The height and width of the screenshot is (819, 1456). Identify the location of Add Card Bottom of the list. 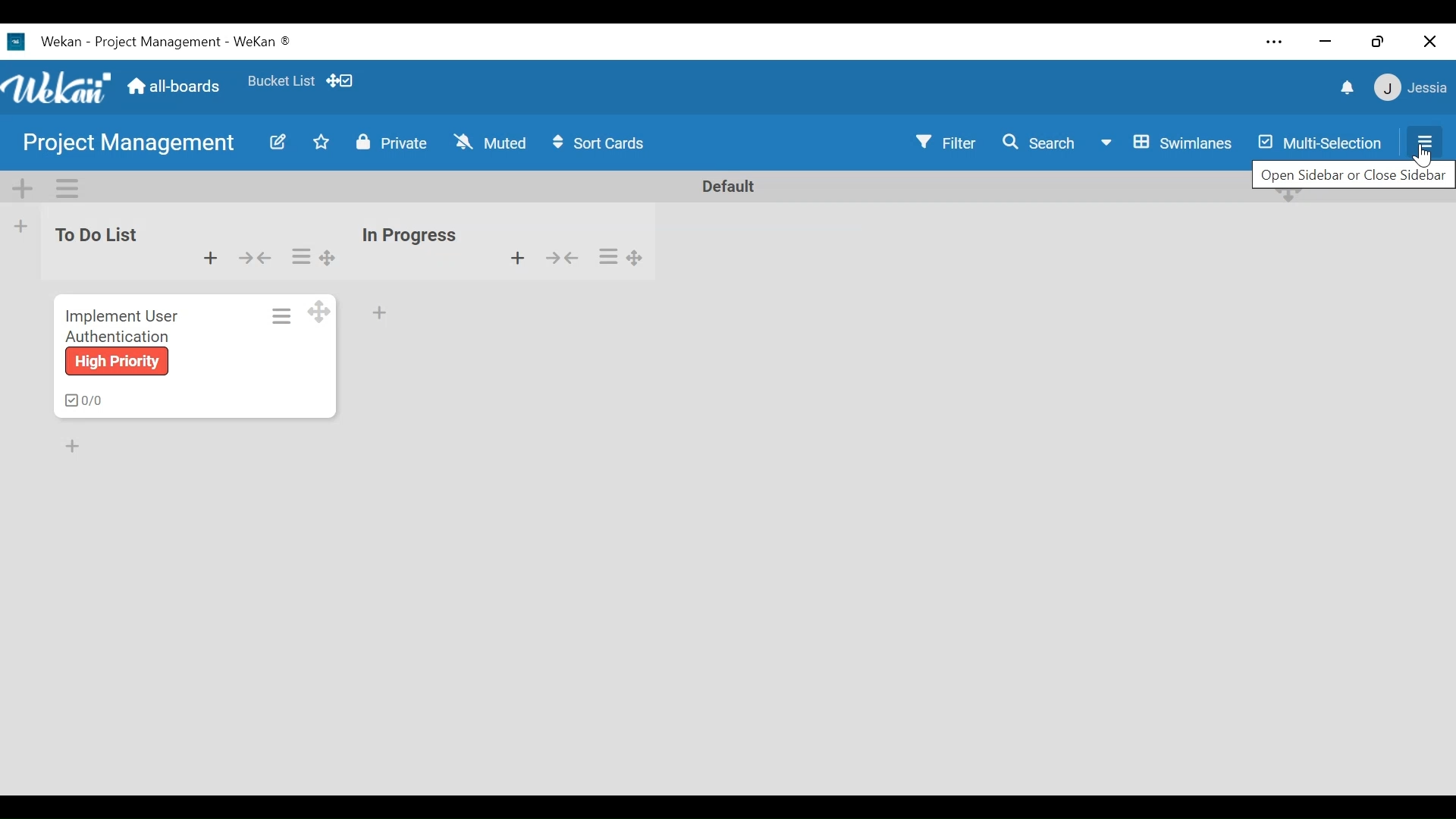
(80, 449).